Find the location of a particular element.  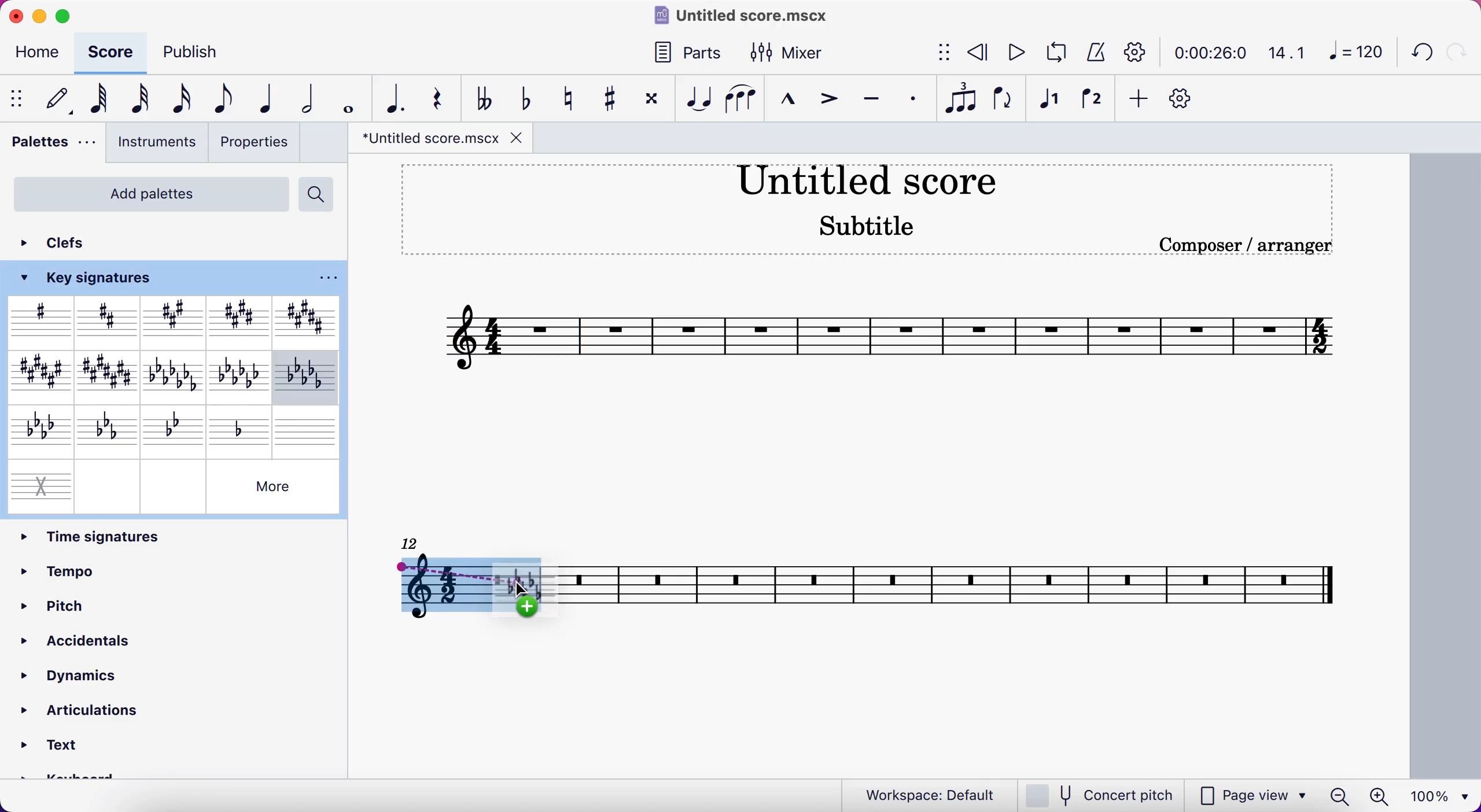

32nd note is located at coordinates (145, 97).